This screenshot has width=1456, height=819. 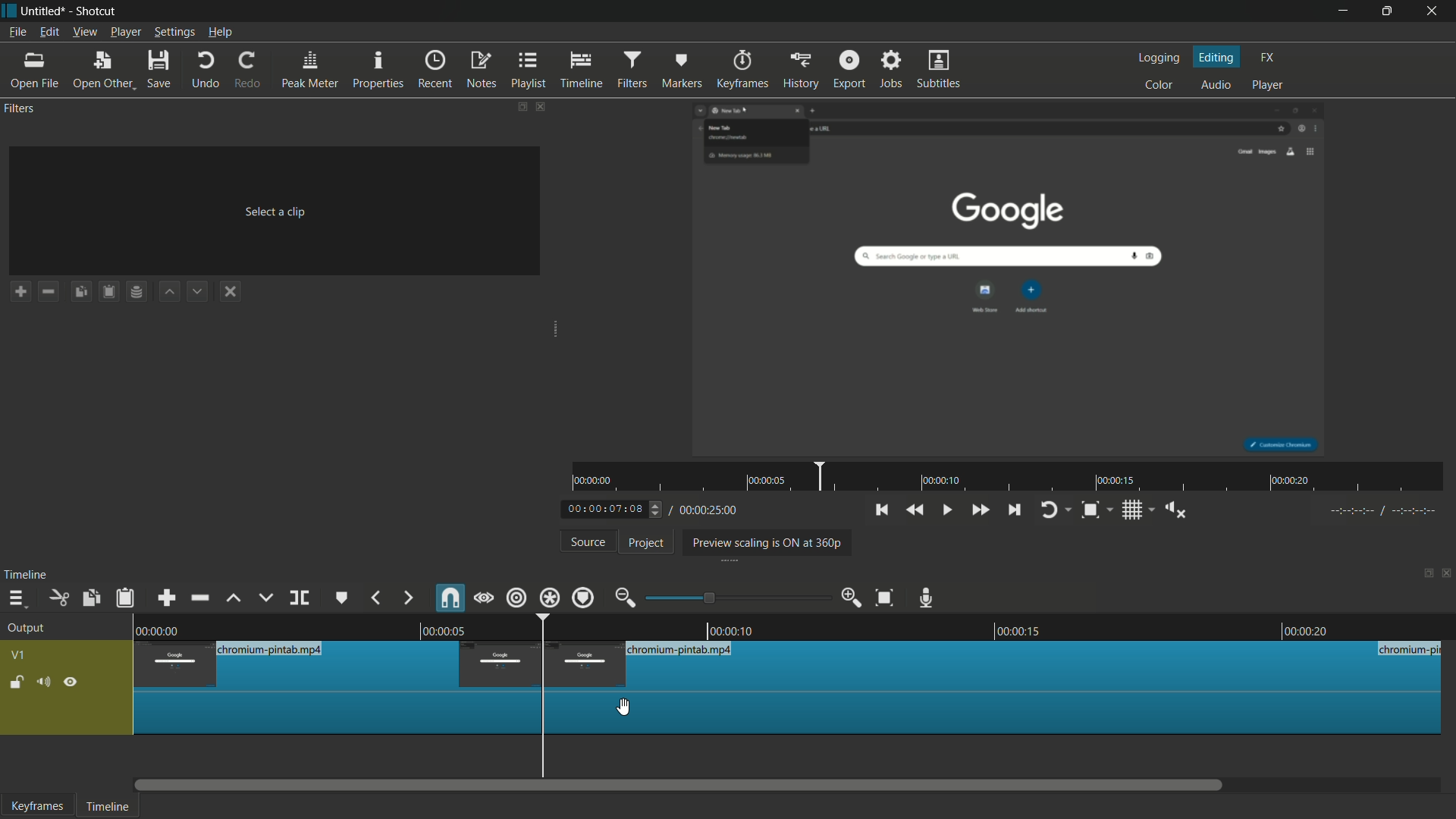 What do you see at coordinates (409, 599) in the screenshot?
I see `next marker` at bounding box center [409, 599].